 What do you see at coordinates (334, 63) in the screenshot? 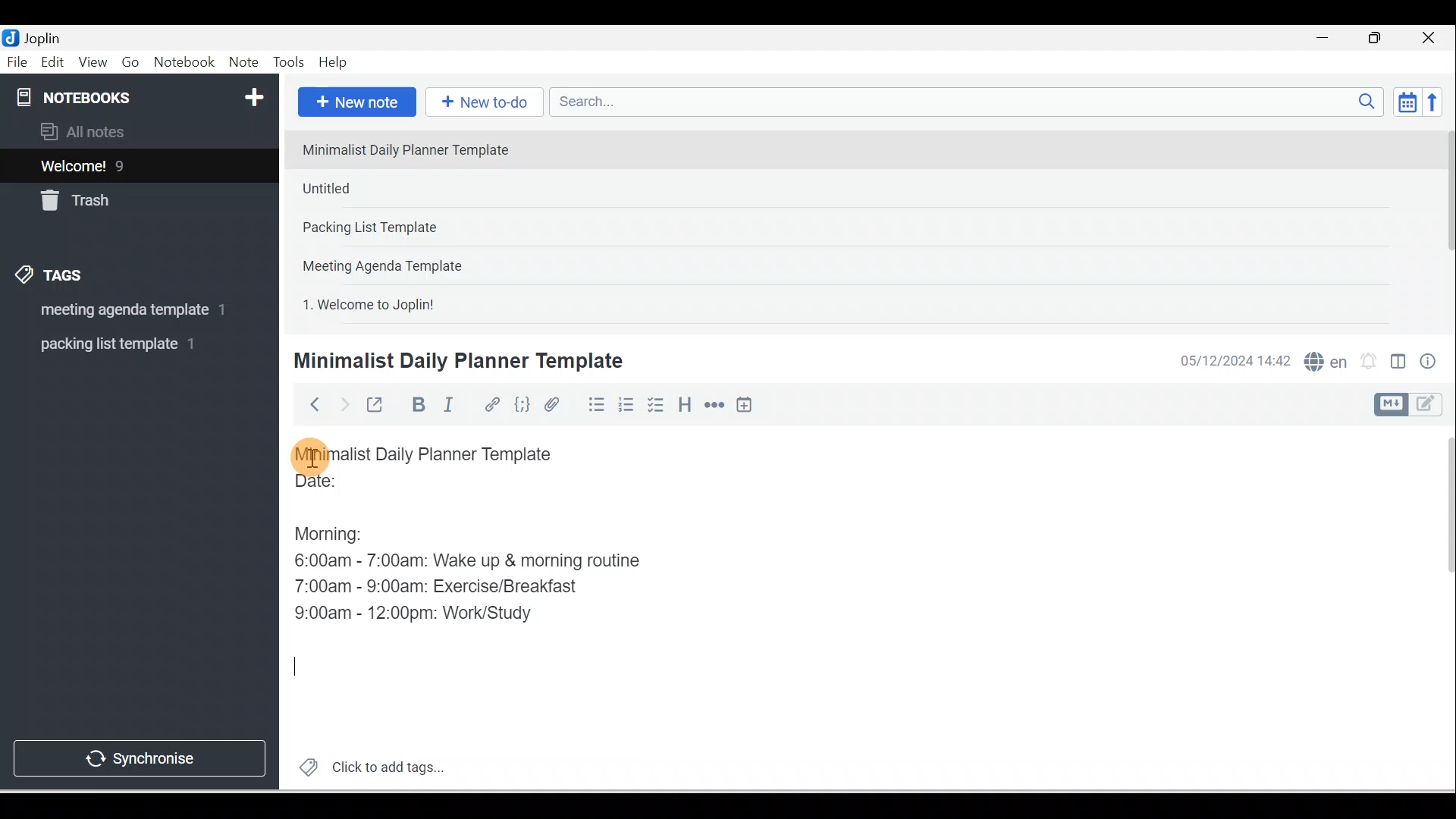
I see `Help` at bounding box center [334, 63].